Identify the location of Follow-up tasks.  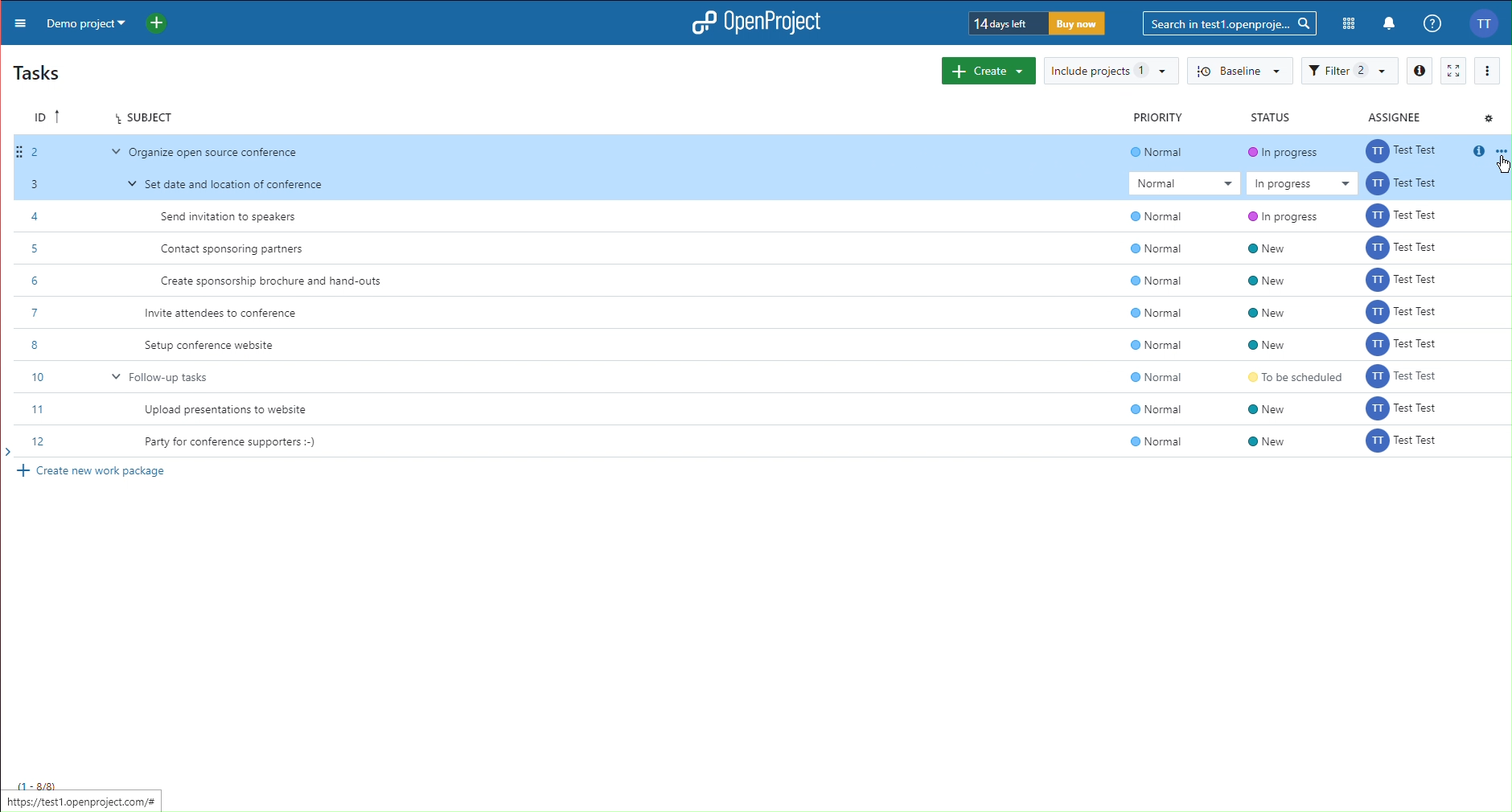
(165, 375).